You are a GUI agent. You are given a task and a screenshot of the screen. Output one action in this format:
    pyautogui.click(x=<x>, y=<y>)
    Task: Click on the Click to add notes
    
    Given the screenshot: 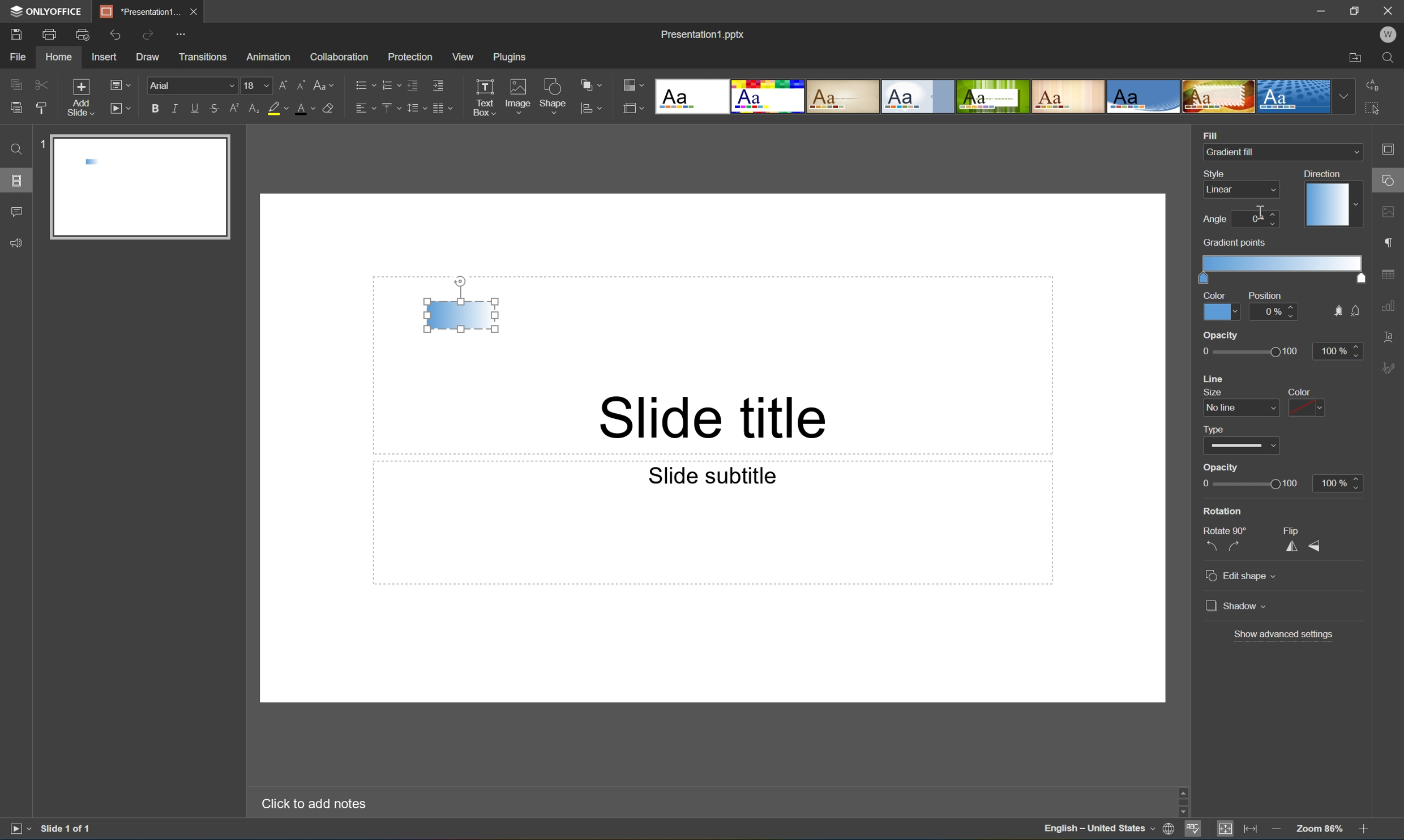 What is the action you would take?
    pyautogui.click(x=311, y=802)
    